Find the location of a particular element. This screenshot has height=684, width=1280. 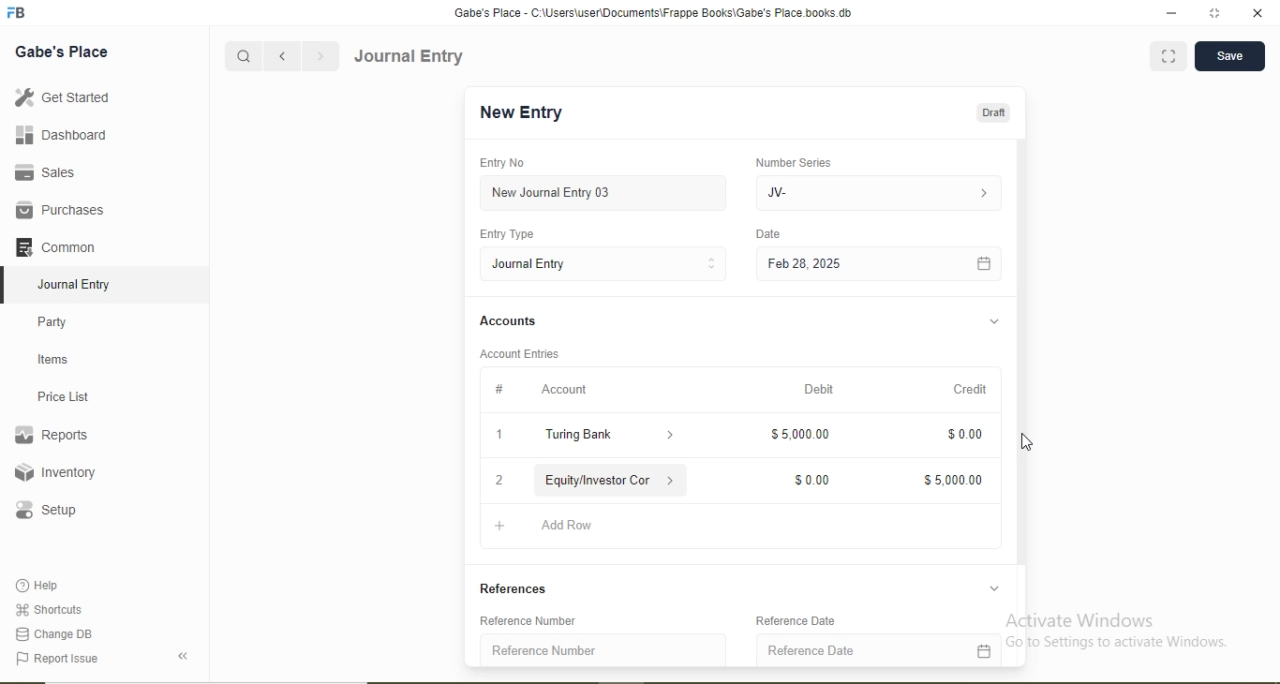

Save is located at coordinates (1229, 54).